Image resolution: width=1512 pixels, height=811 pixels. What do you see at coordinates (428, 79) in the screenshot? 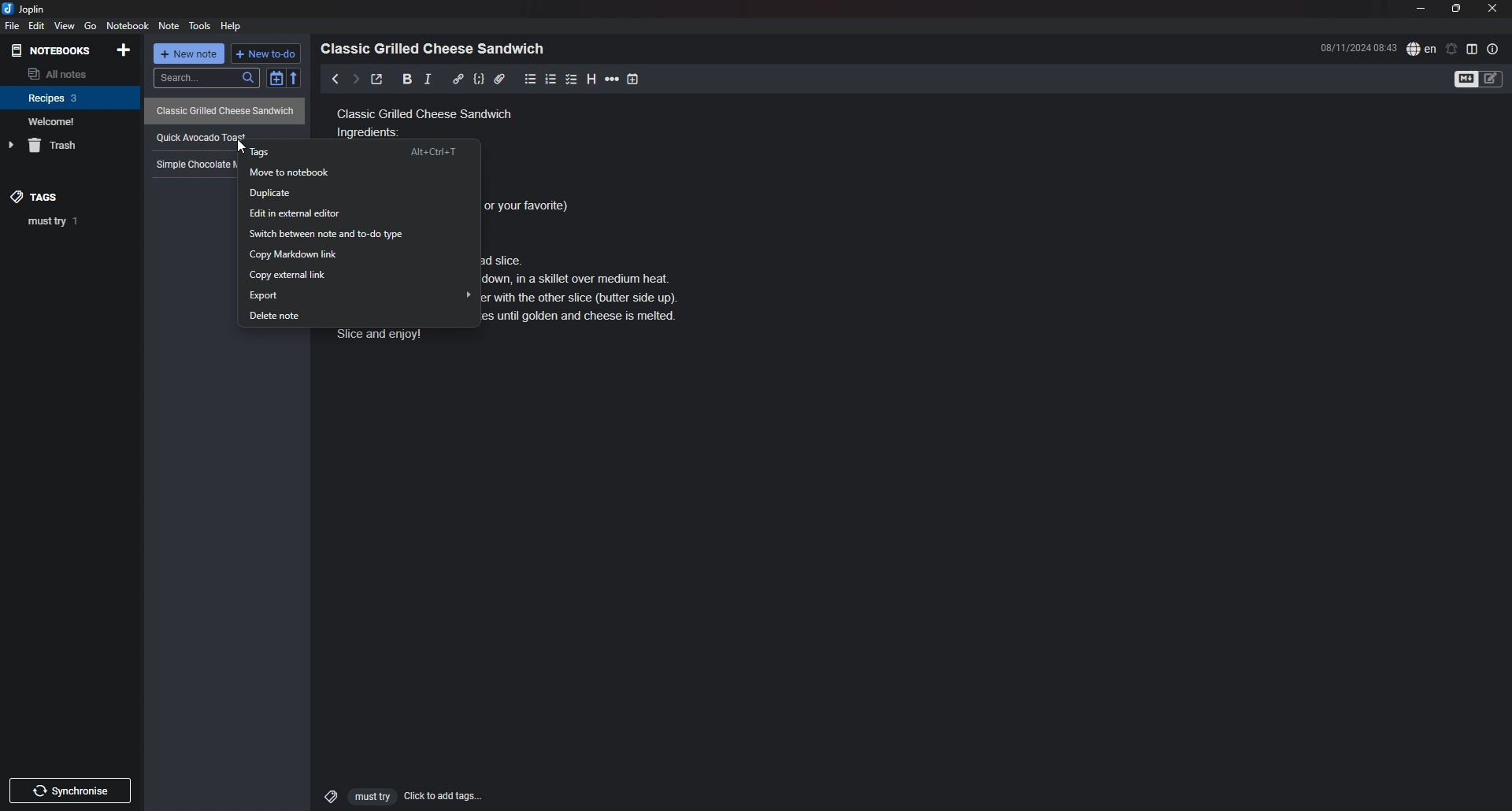
I see `italic` at bounding box center [428, 79].